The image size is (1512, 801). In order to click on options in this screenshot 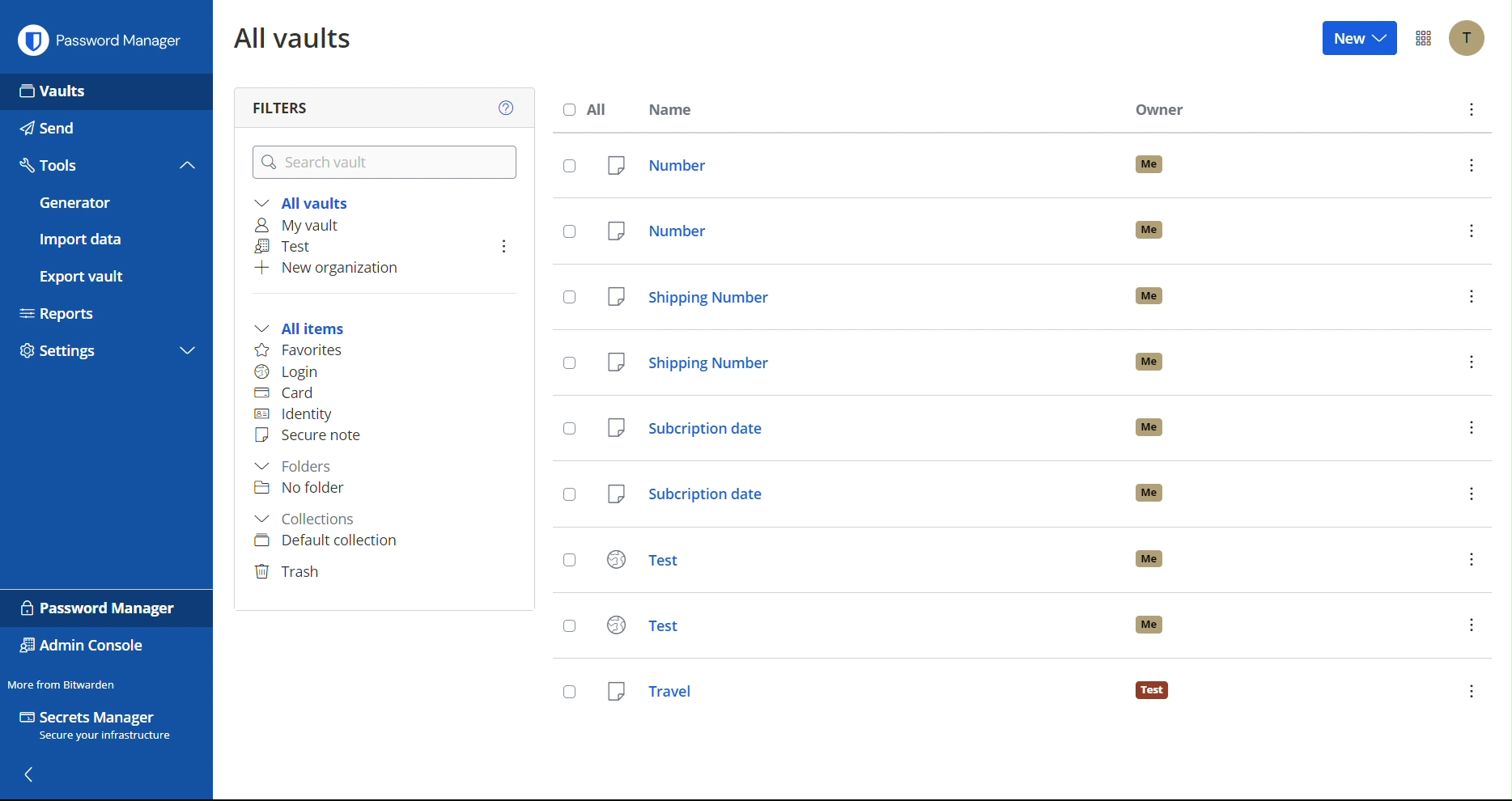, I will do `click(1471, 296)`.